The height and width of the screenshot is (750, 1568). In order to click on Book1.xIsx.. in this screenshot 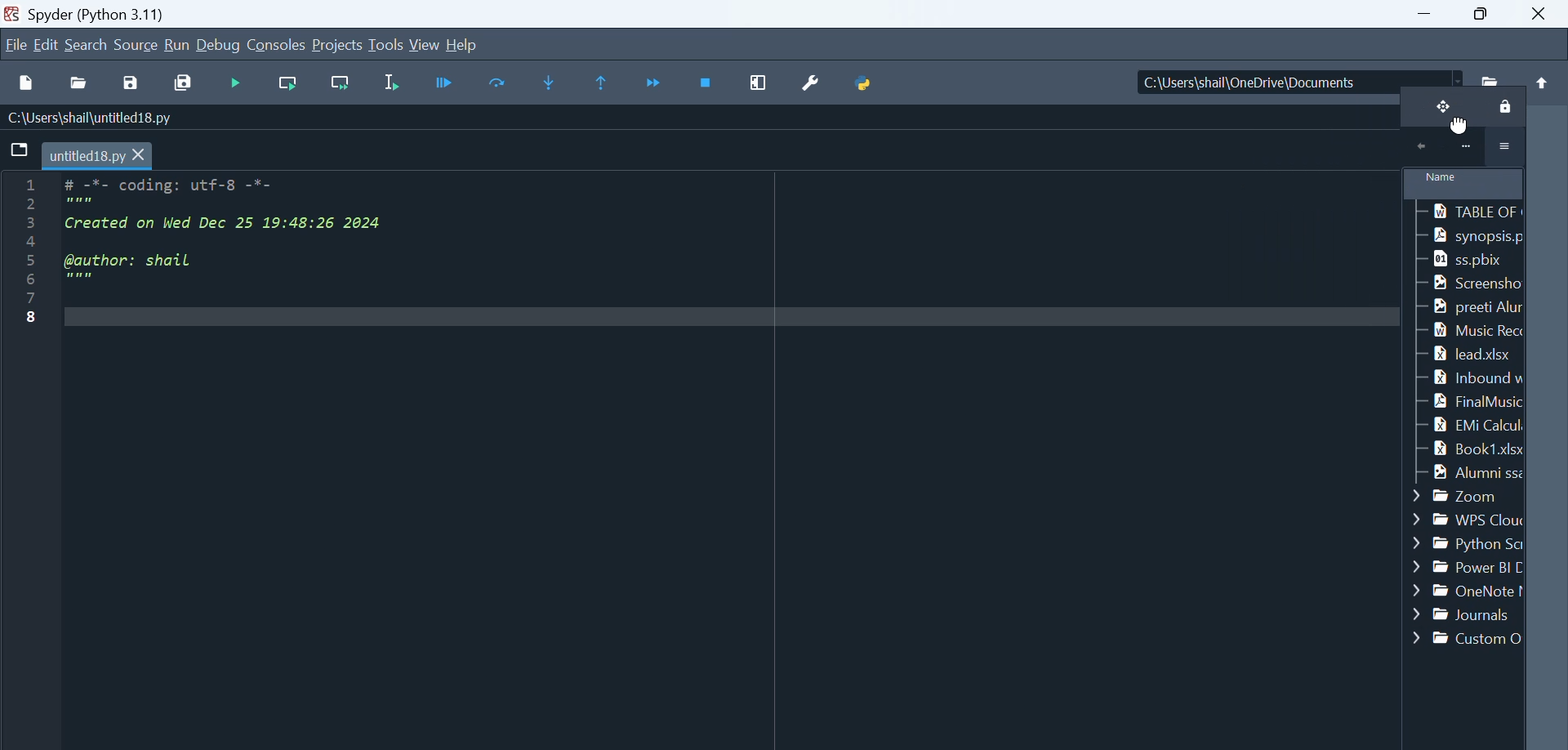, I will do `click(1469, 447)`.